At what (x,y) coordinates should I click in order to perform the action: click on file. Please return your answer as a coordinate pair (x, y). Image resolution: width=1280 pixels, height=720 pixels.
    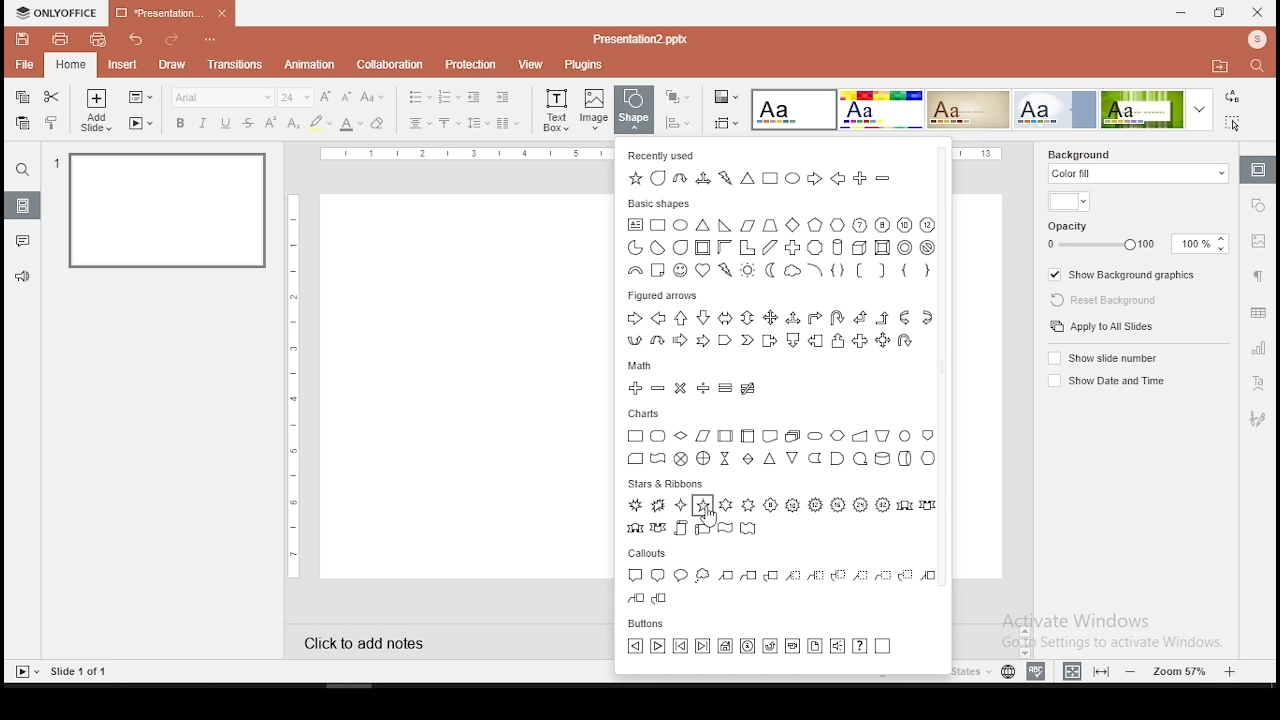
    Looking at the image, I should click on (26, 64).